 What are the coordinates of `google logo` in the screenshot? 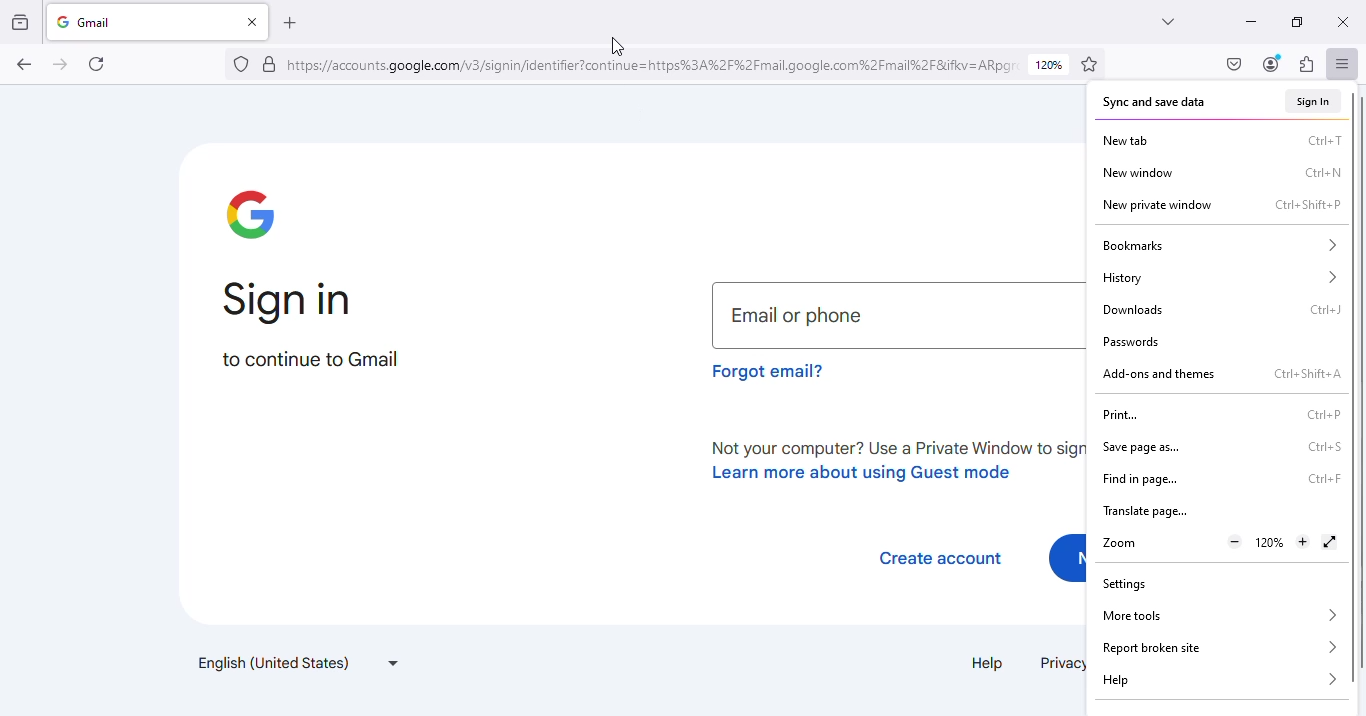 It's located at (248, 214).